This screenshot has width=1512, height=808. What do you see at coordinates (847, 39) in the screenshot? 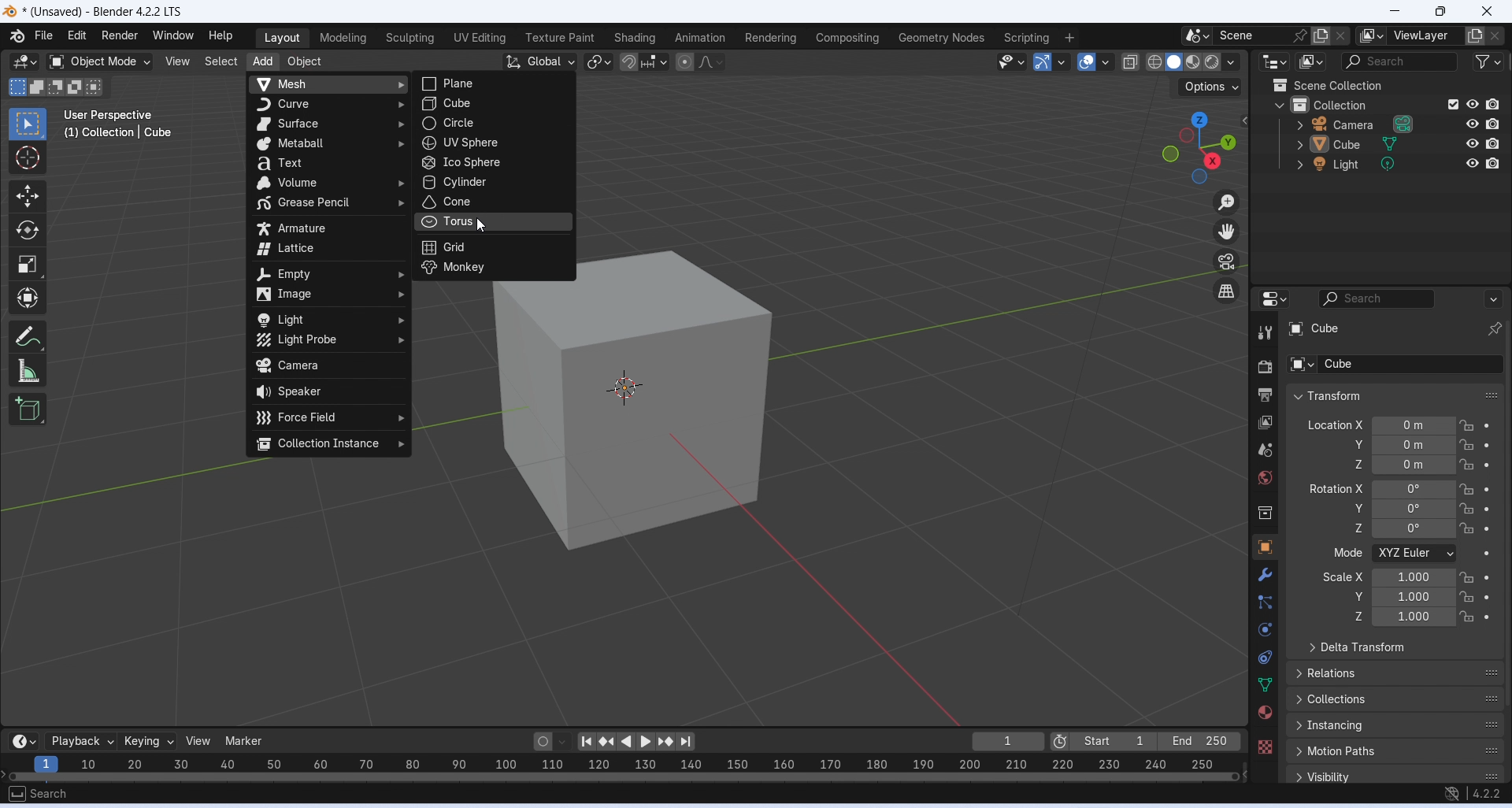
I see `Compositing` at bounding box center [847, 39].